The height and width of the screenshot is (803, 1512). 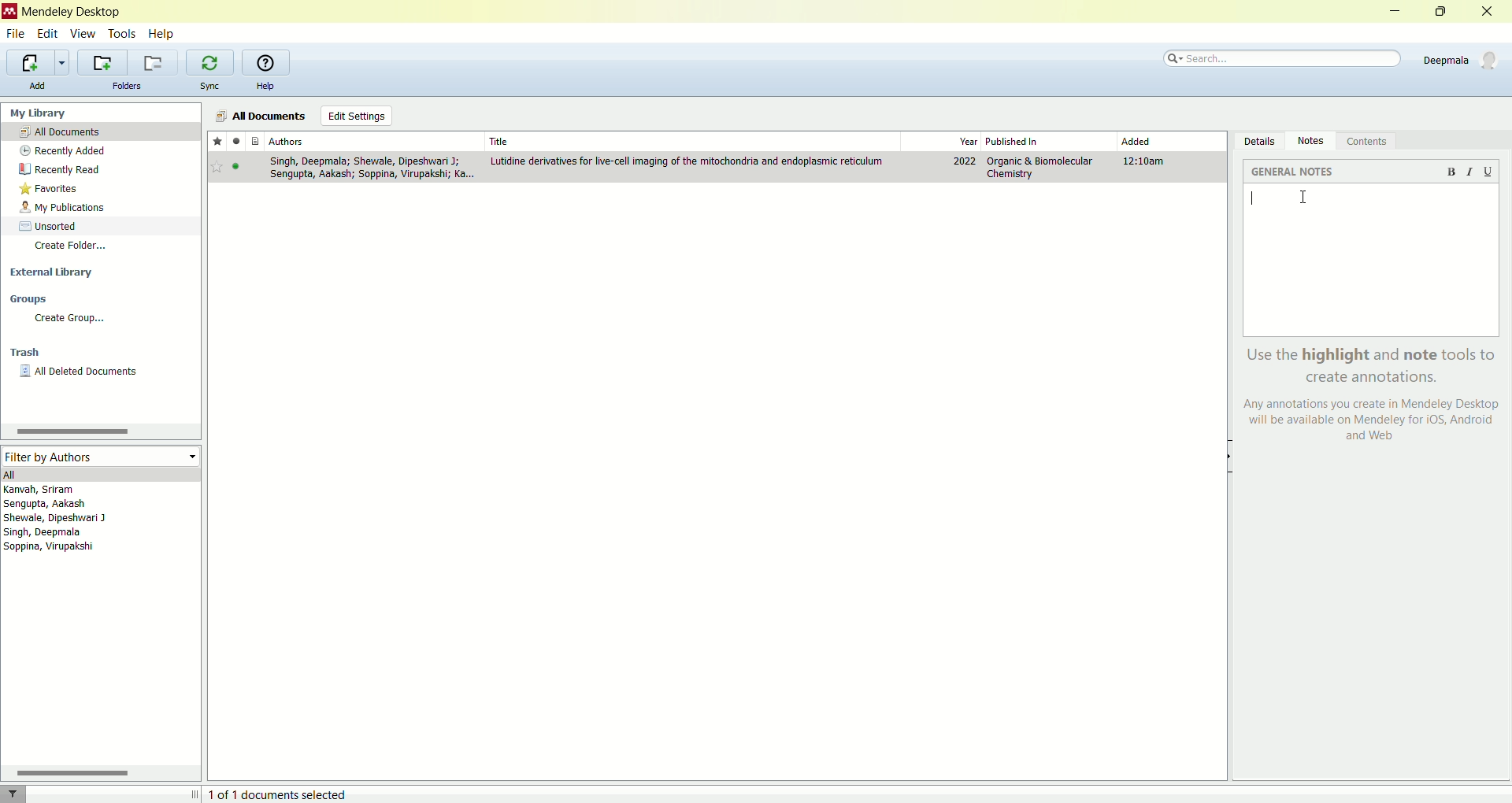 What do you see at coordinates (210, 85) in the screenshot?
I see `sync` at bounding box center [210, 85].